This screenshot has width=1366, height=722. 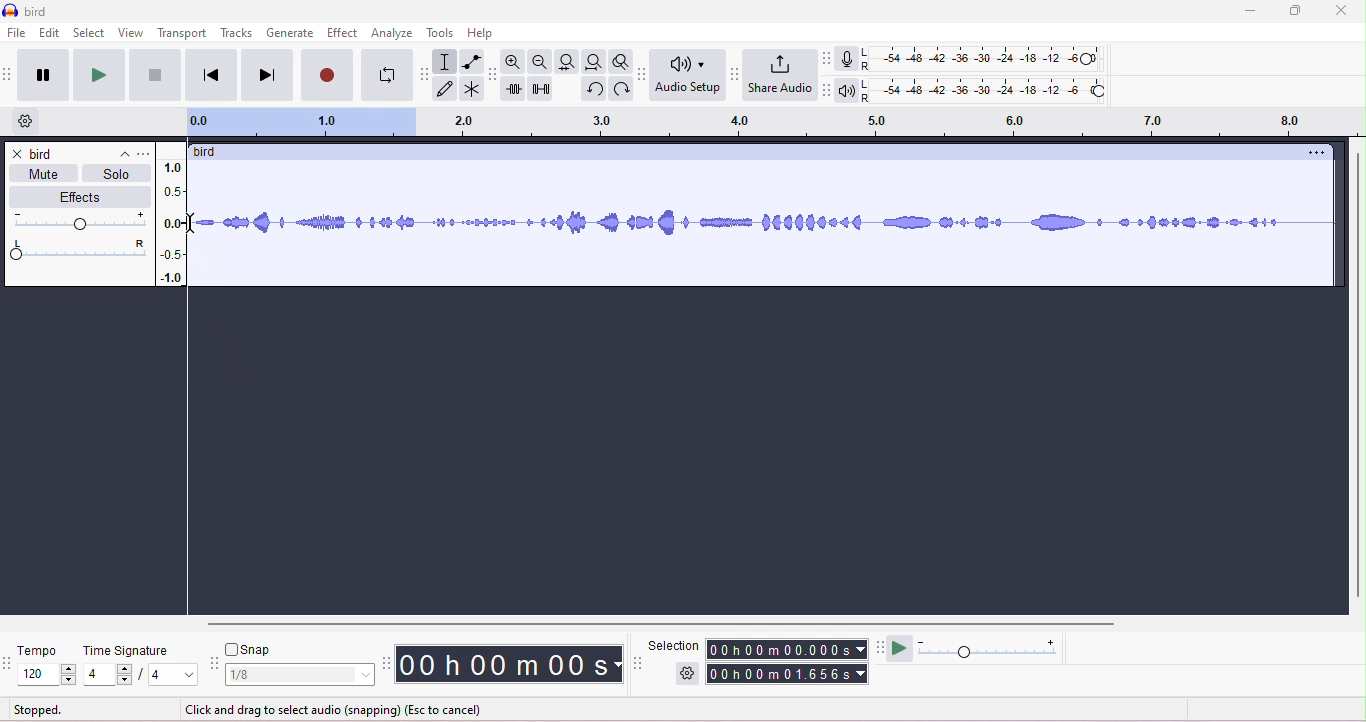 What do you see at coordinates (481, 33) in the screenshot?
I see `help` at bounding box center [481, 33].